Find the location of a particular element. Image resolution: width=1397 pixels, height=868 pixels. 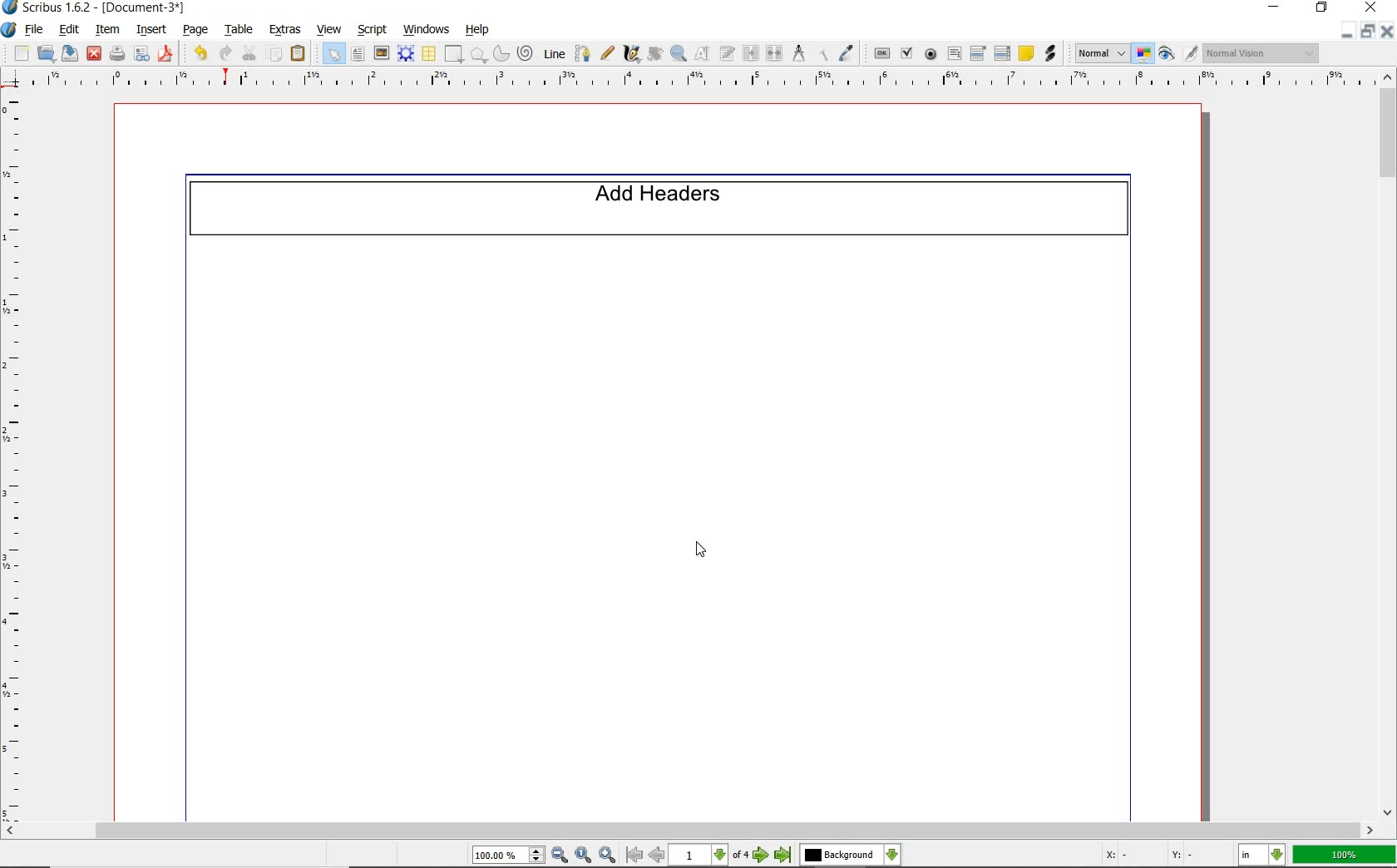

edit text with story editor is located at coordinates (727, 53).